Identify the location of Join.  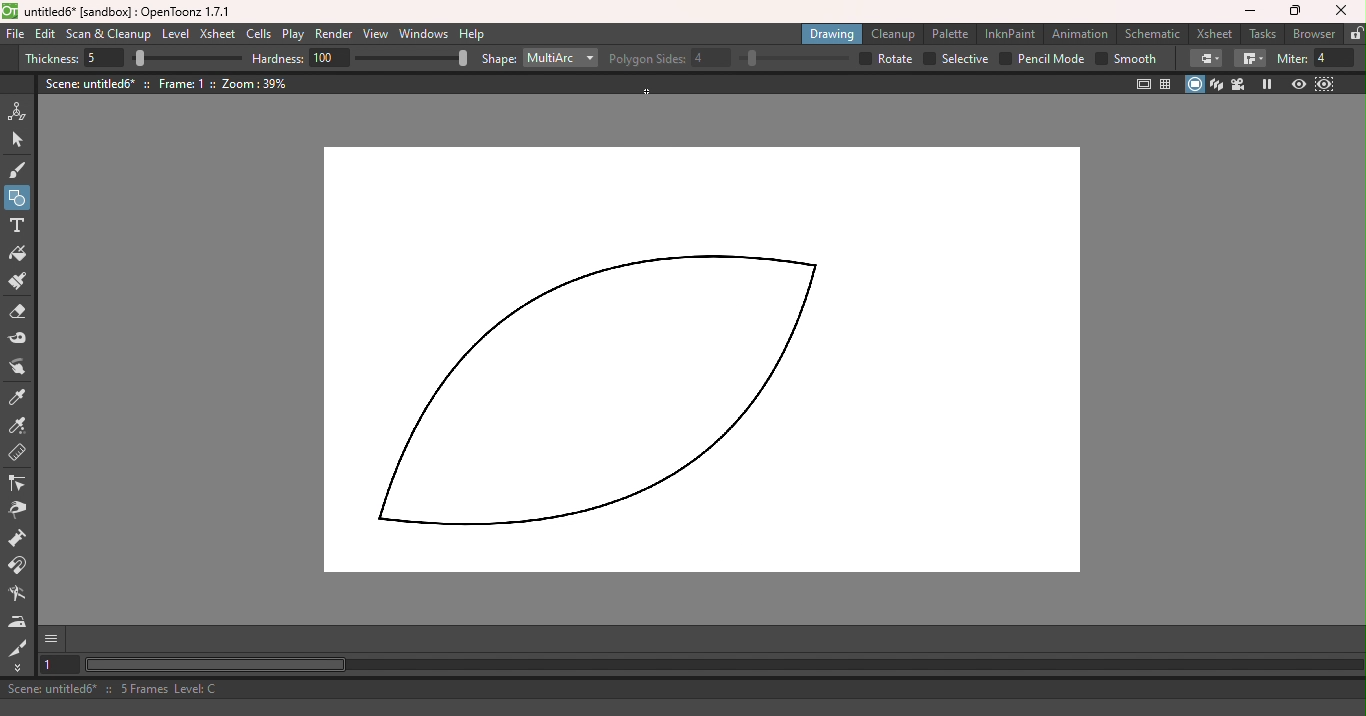
(1249, 59).